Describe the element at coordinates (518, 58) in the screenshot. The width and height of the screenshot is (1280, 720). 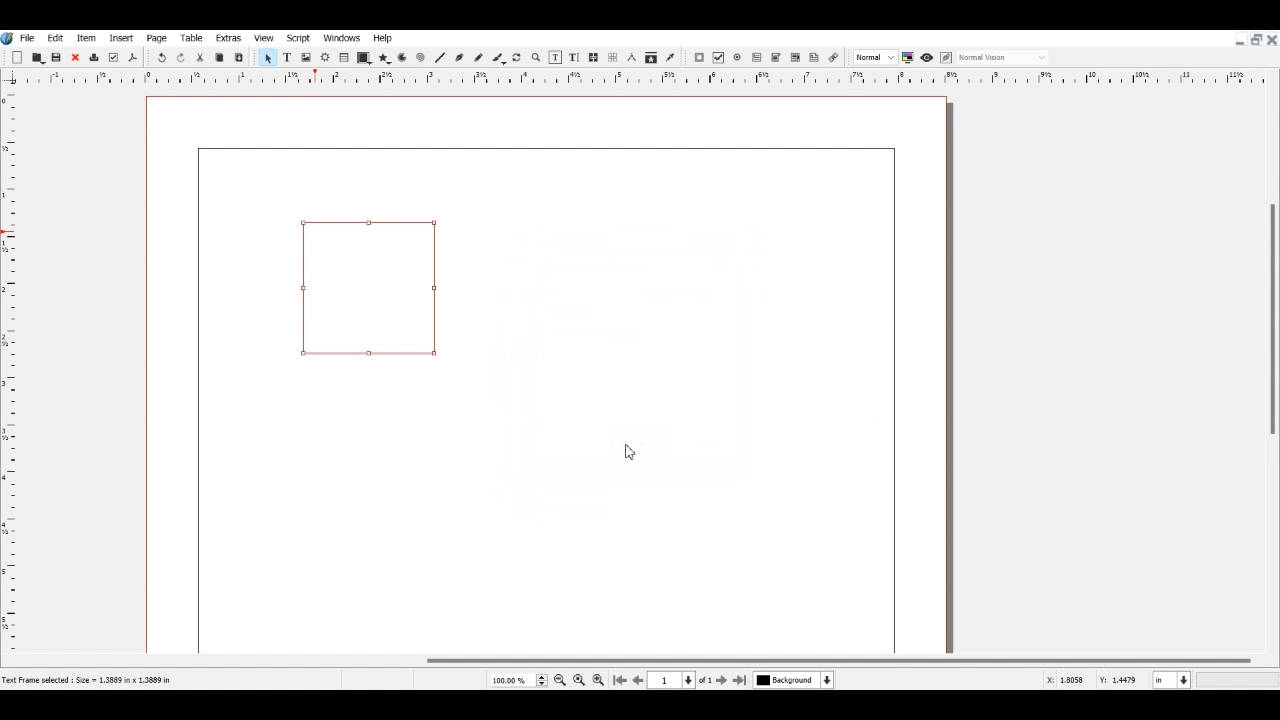
I see `Rotate Item` at that location.